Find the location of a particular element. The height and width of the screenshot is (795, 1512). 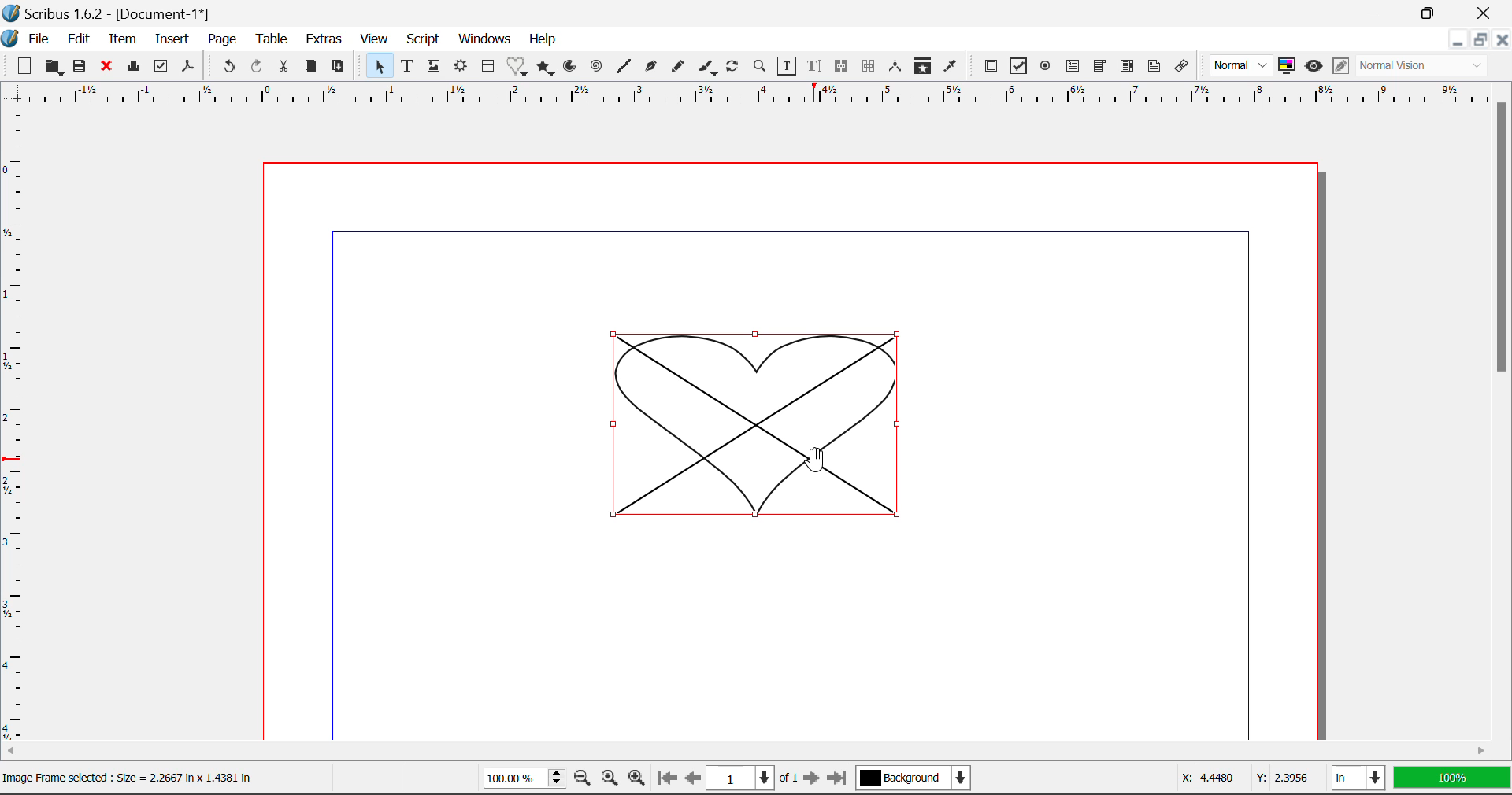

Pdf Radio Button is located at coordinates (1047, 68).